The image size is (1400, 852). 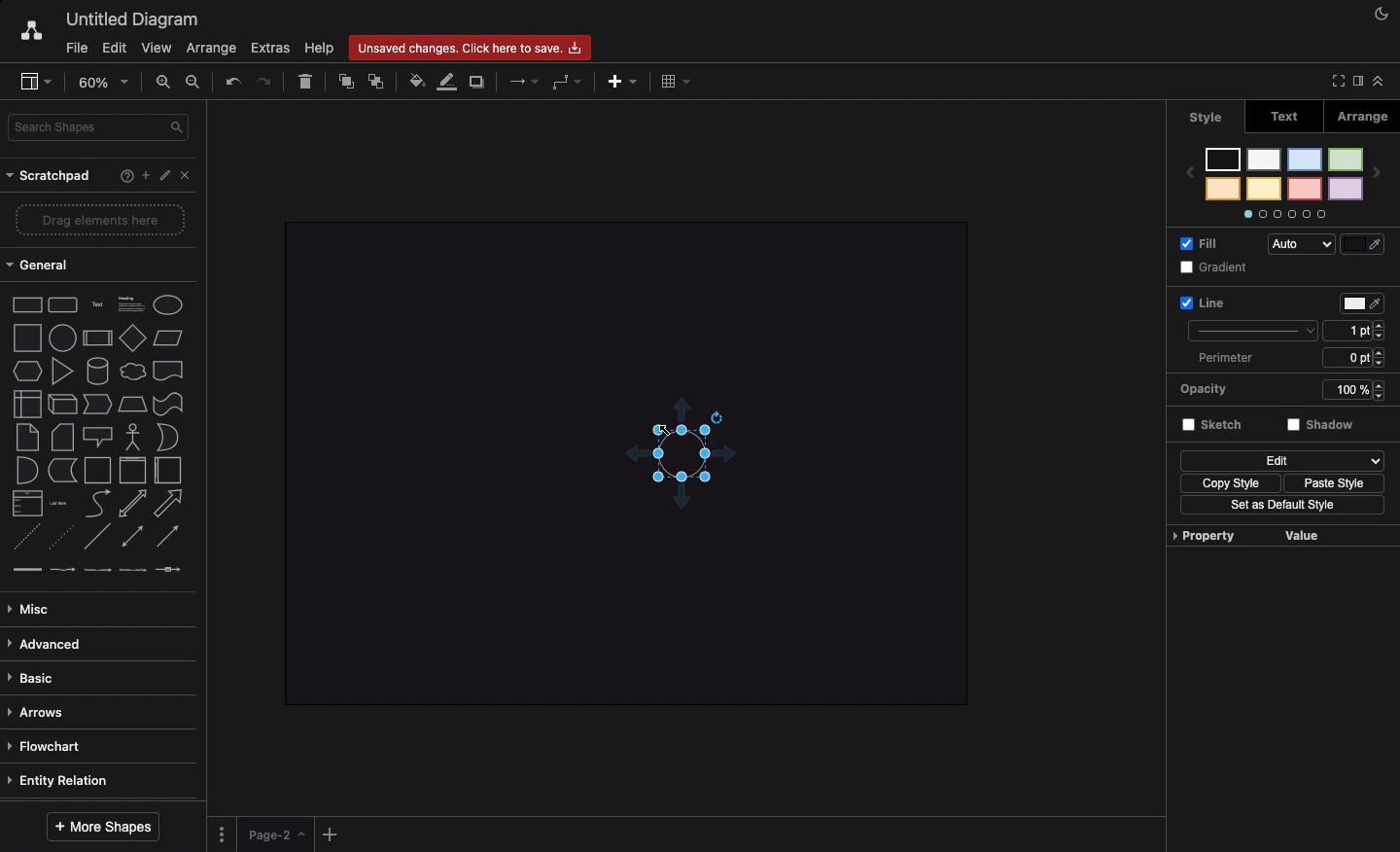 What do you see at coordinates (1303, 243) in the screenshot?
I see `Auto` at bounding box center [1303, 243].